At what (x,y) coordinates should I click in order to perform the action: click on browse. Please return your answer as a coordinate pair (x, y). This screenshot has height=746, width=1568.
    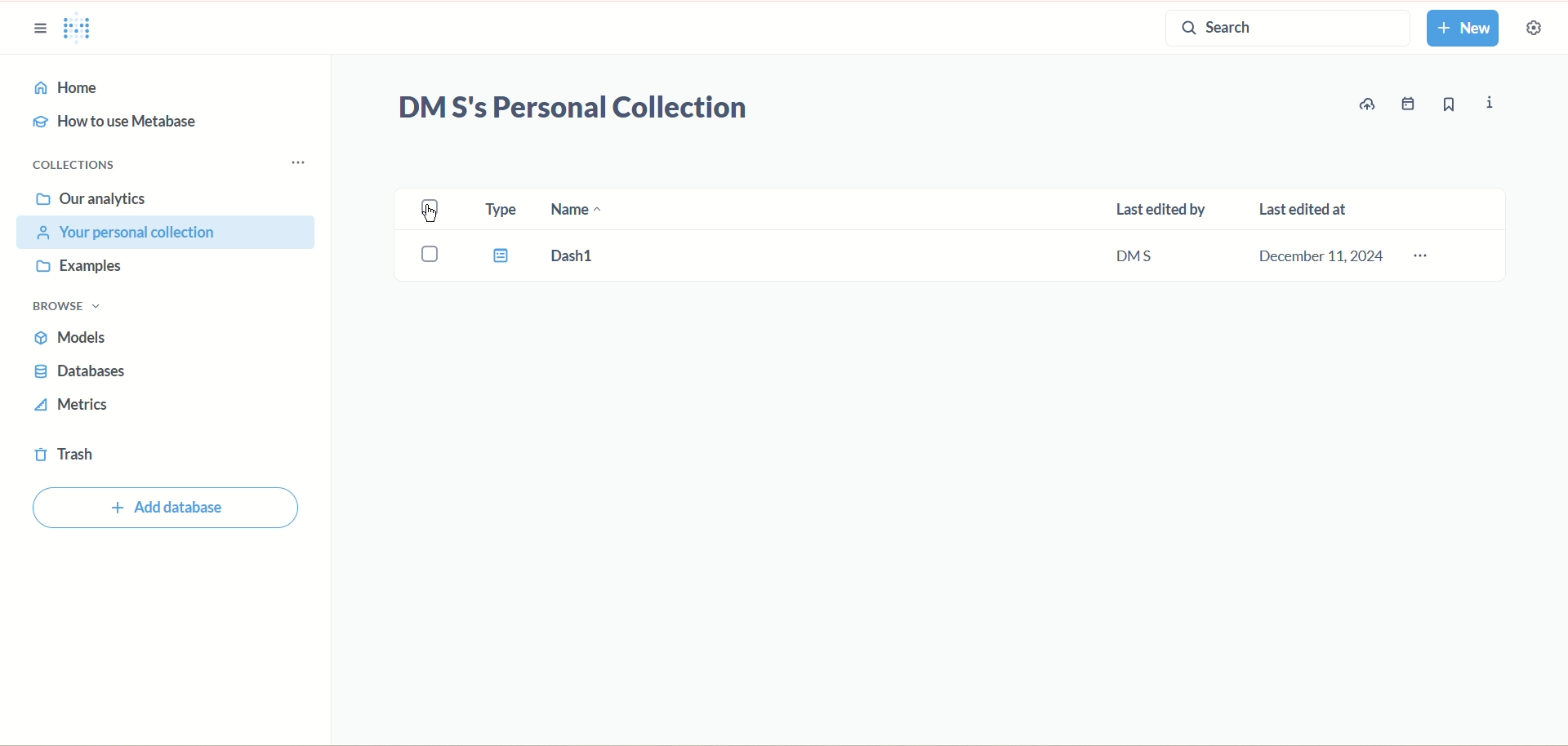
    Looking at the image, I should click on (69, 308).